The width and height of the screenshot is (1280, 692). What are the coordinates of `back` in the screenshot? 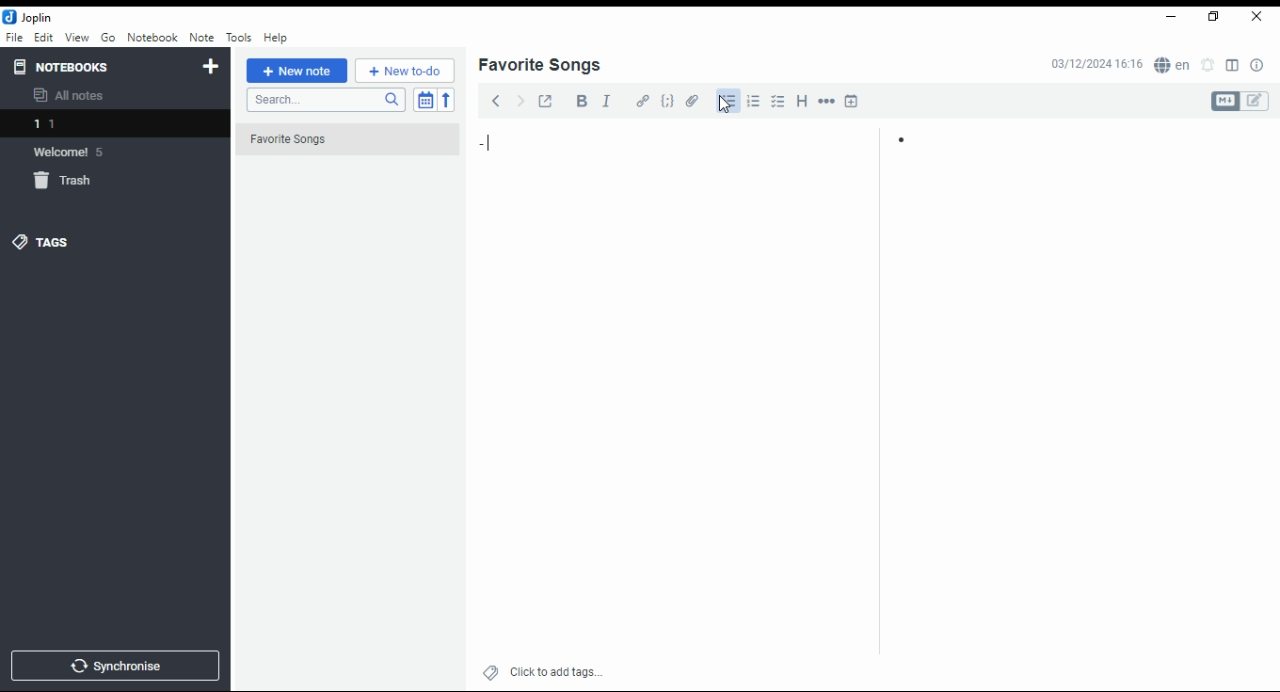 It's located at (496, 100).